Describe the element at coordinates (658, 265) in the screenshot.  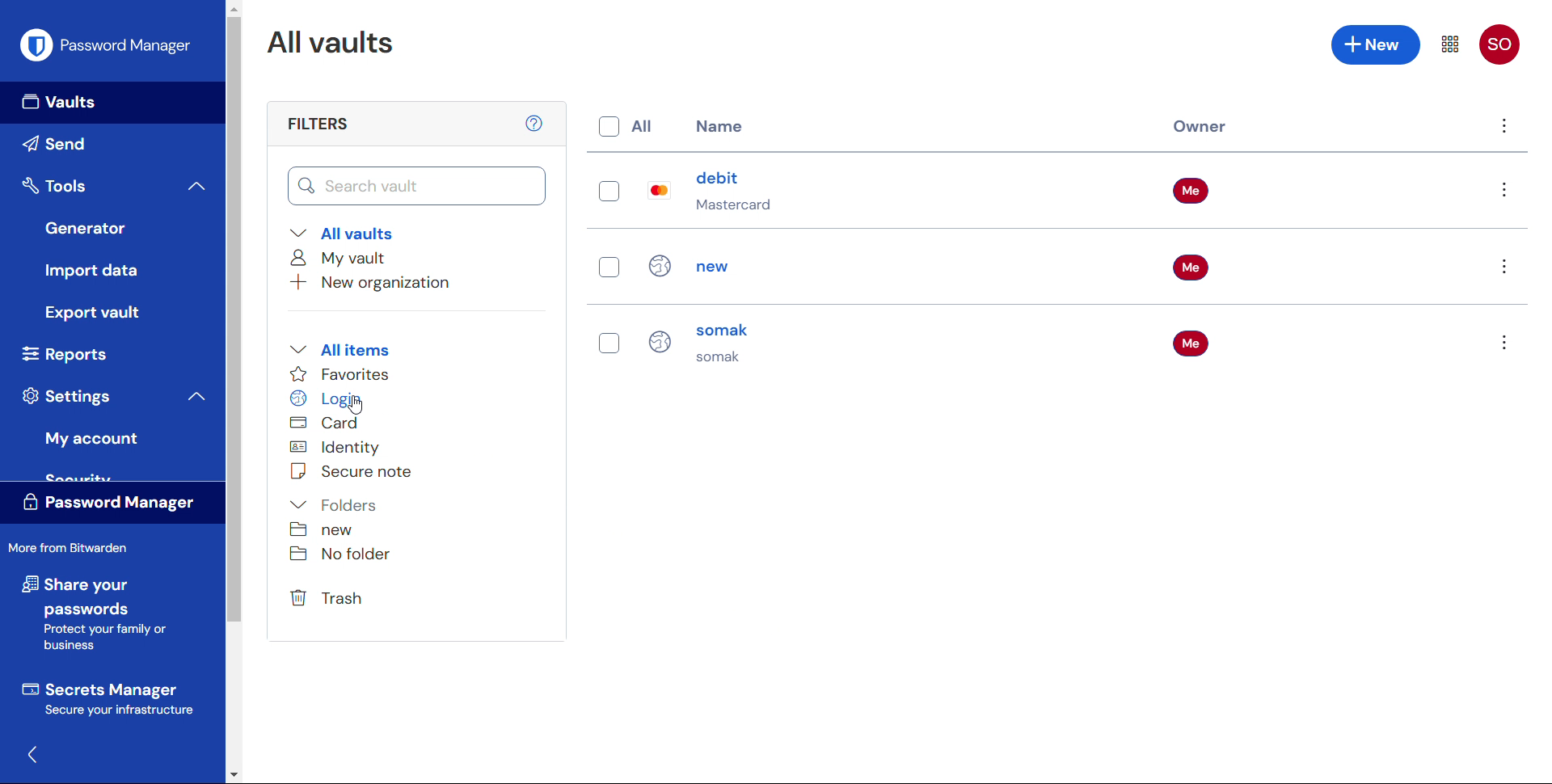
I see `Login` at that location.